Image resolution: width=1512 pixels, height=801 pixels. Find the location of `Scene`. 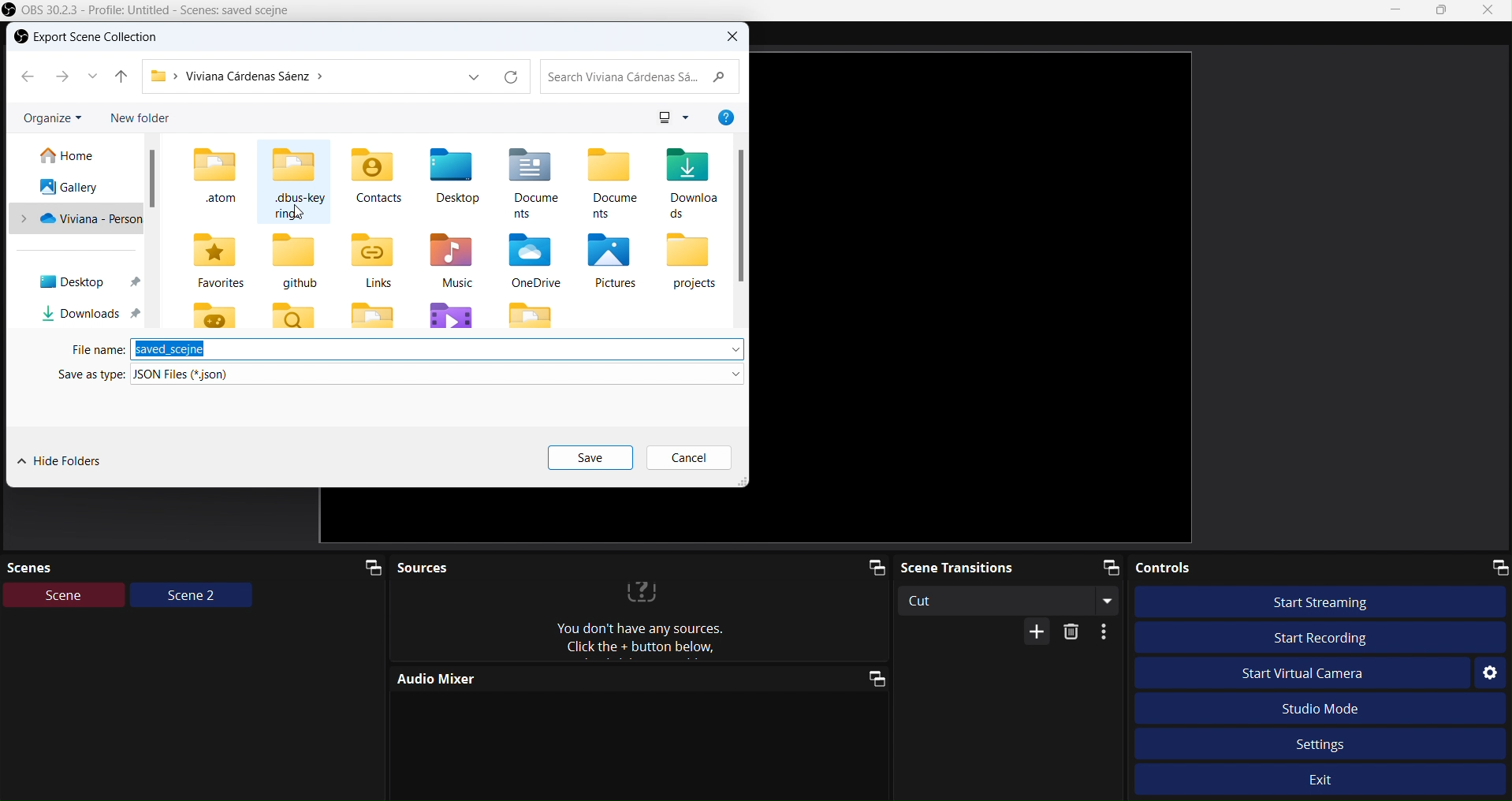

Scene is located at coordinates (65, 595).